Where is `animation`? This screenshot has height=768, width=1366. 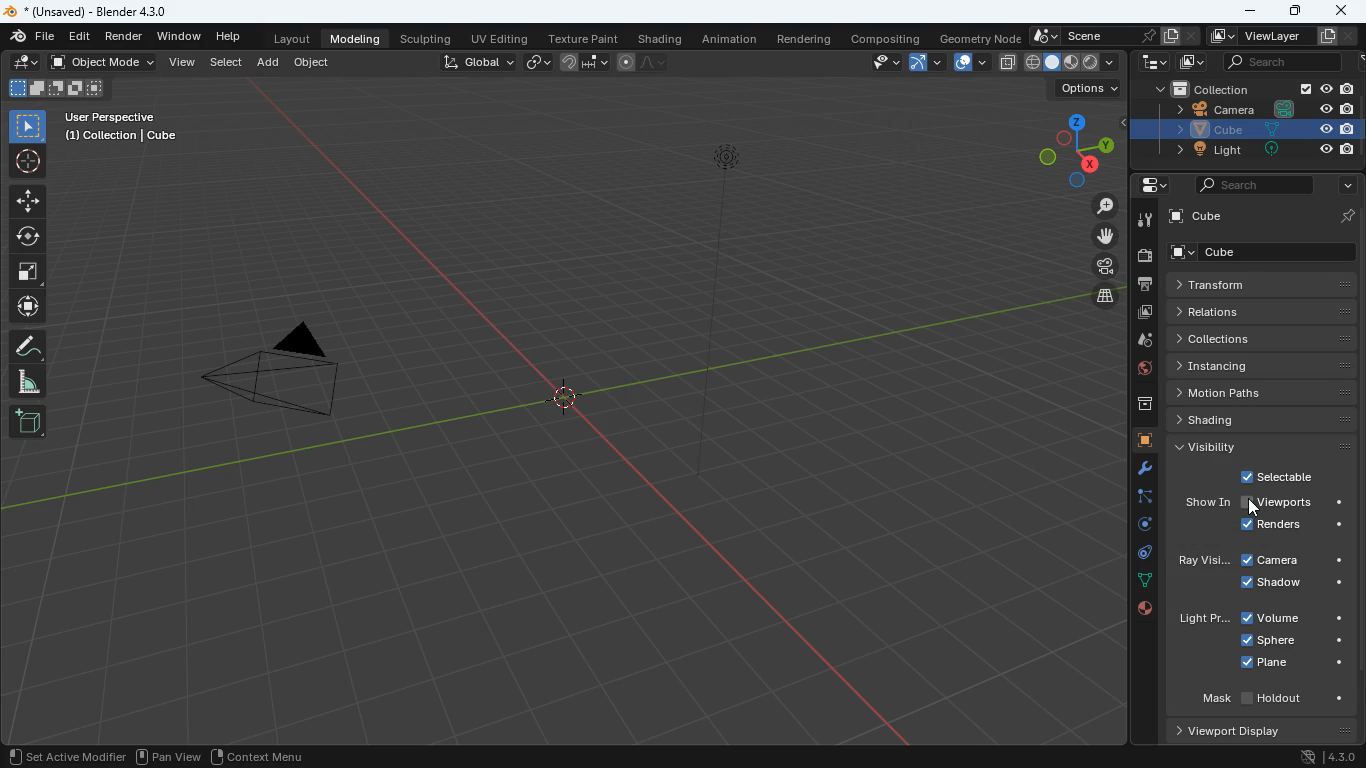
animation is located at coordinates (733, 39).